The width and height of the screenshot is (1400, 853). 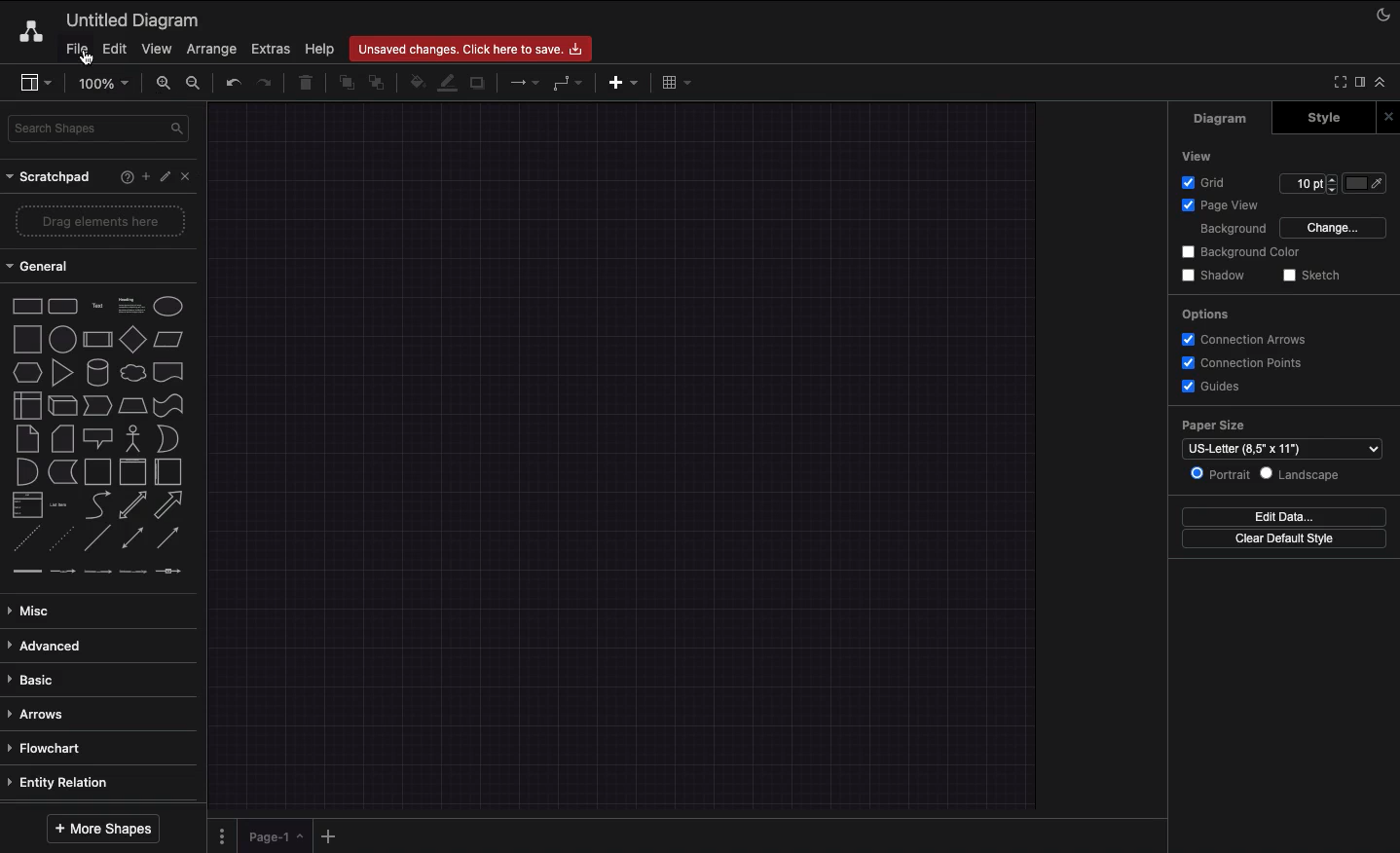 What do you see at coordinates (1208, 182) in the screenshot?
I see `Grid` at bounding box center [1208, 182].